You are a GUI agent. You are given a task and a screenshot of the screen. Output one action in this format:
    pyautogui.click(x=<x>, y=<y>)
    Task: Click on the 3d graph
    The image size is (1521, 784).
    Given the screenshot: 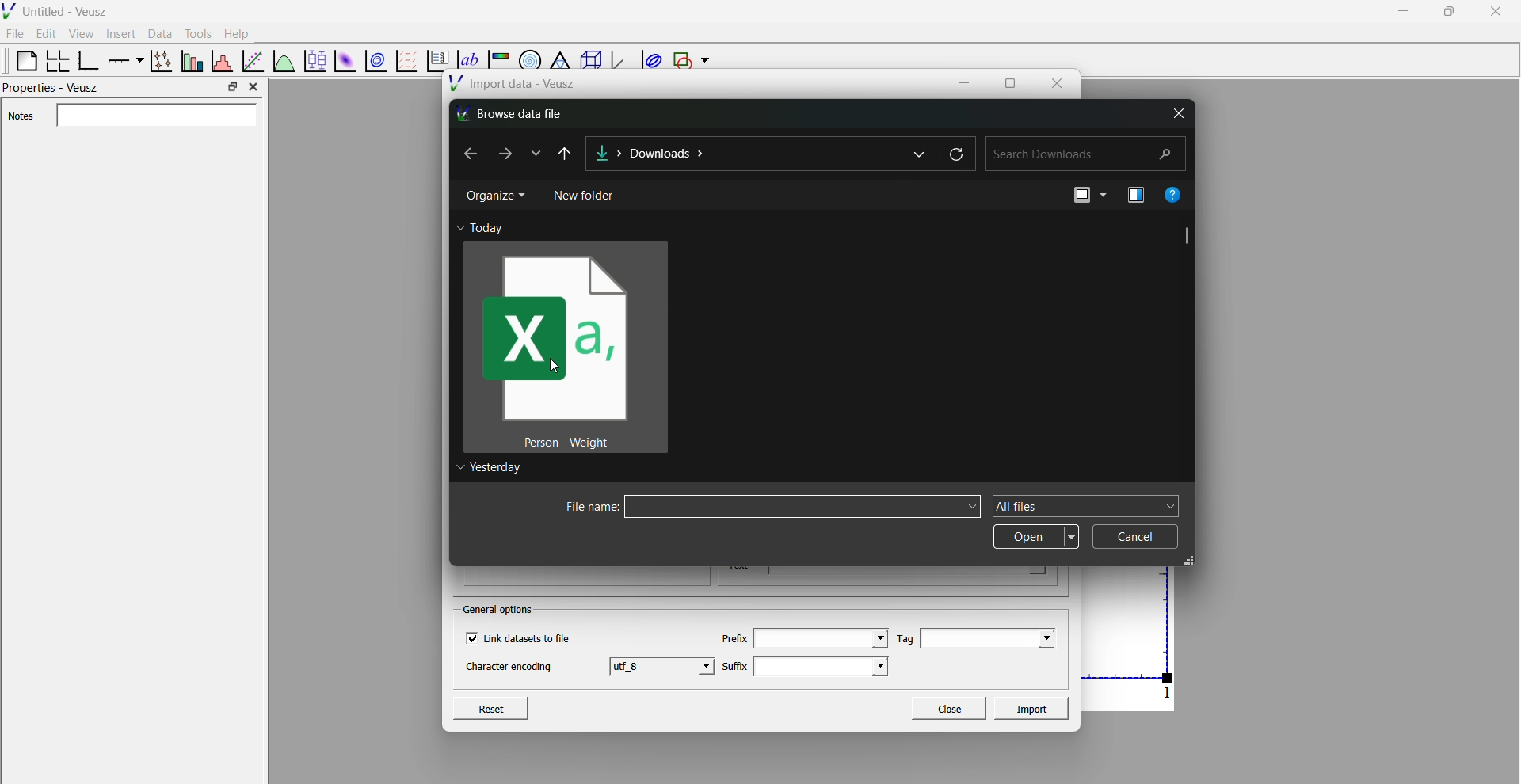 What is the action you would take?
    pyautogui.click(x=619, y=63)
    